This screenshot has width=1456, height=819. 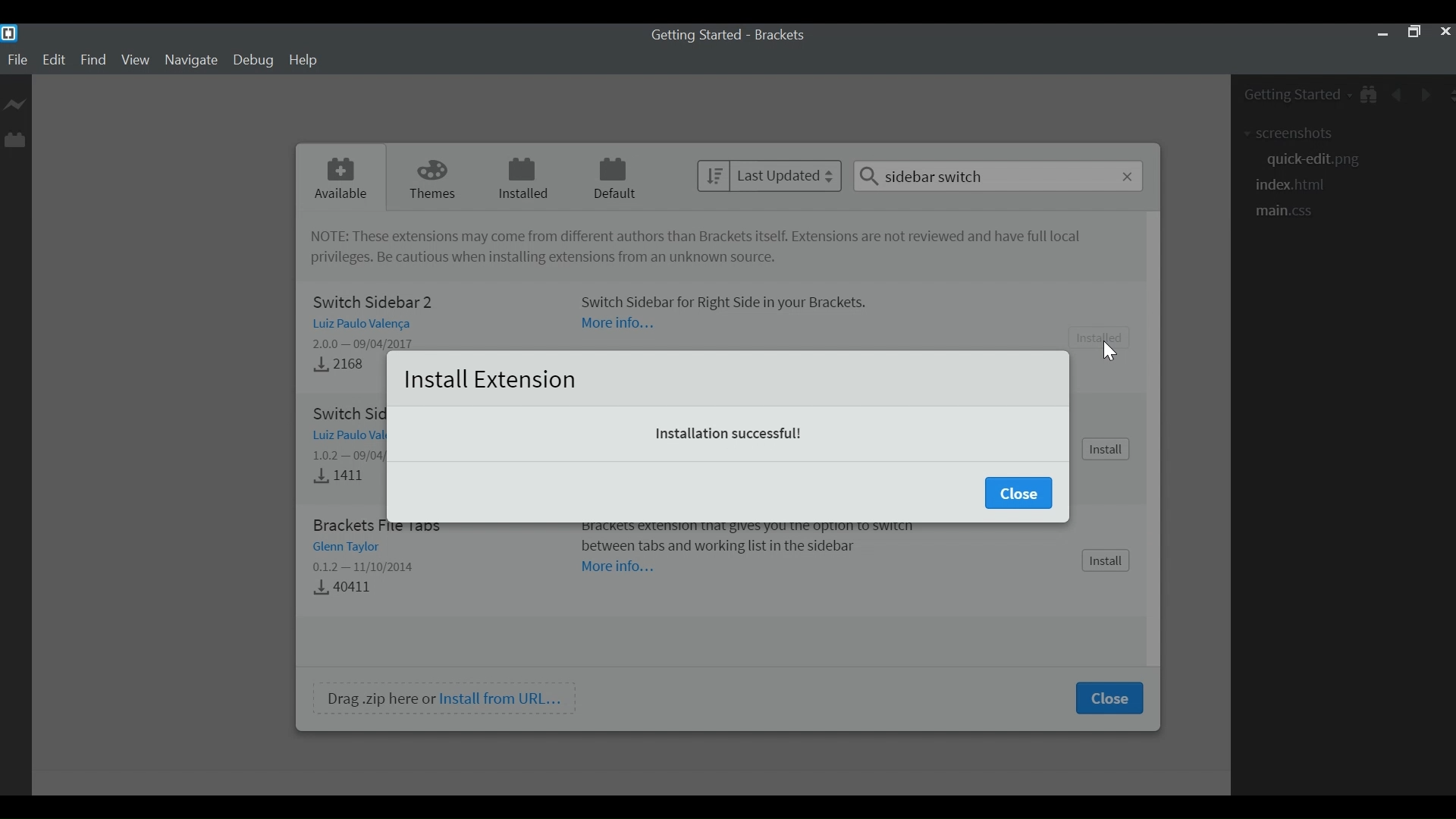 What do you see at coordinates (1106, 449) in the screenshot?
I see `Install` at bounding box center [1106, 449].